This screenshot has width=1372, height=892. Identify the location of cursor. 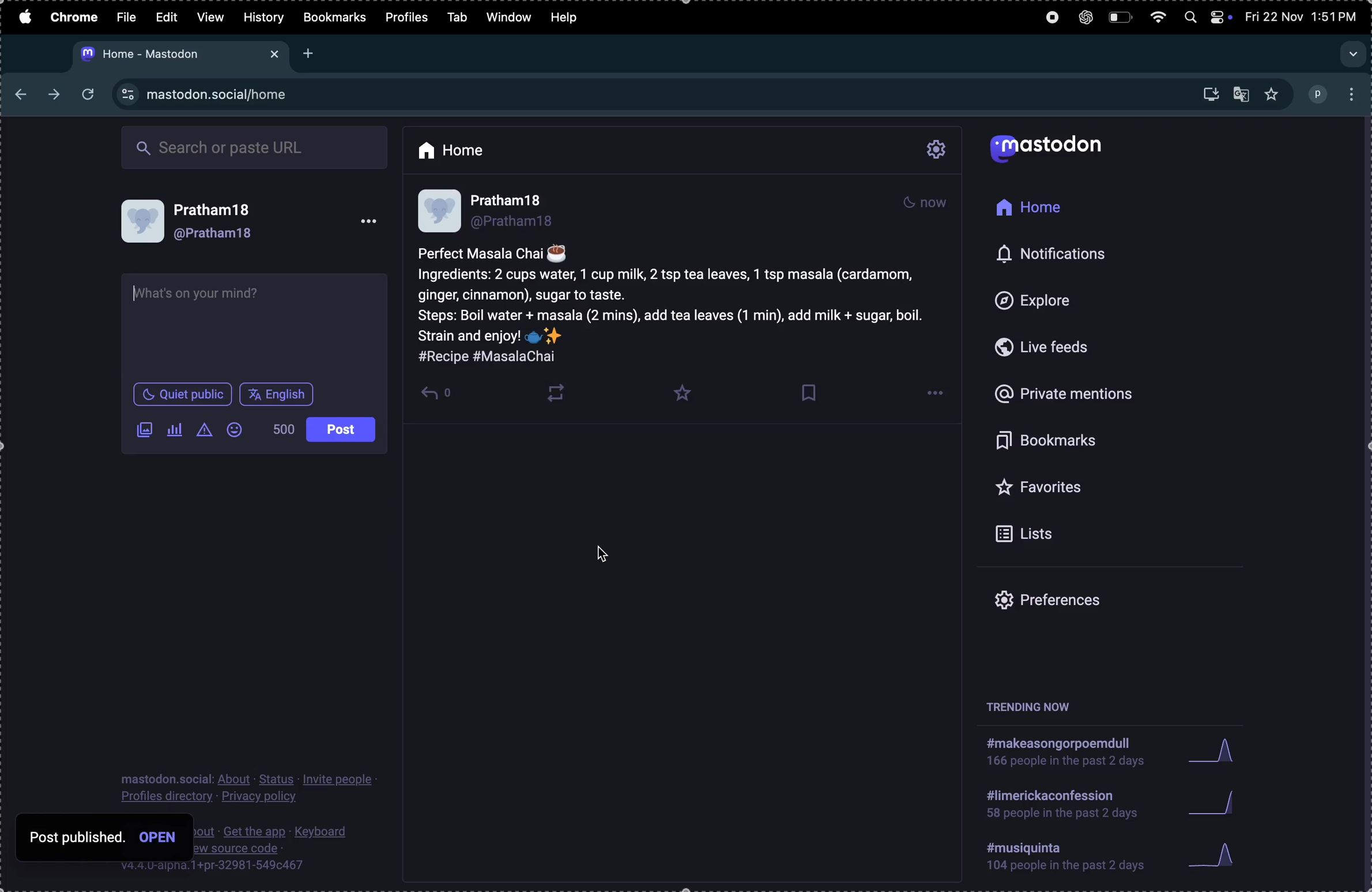
(598, 554).